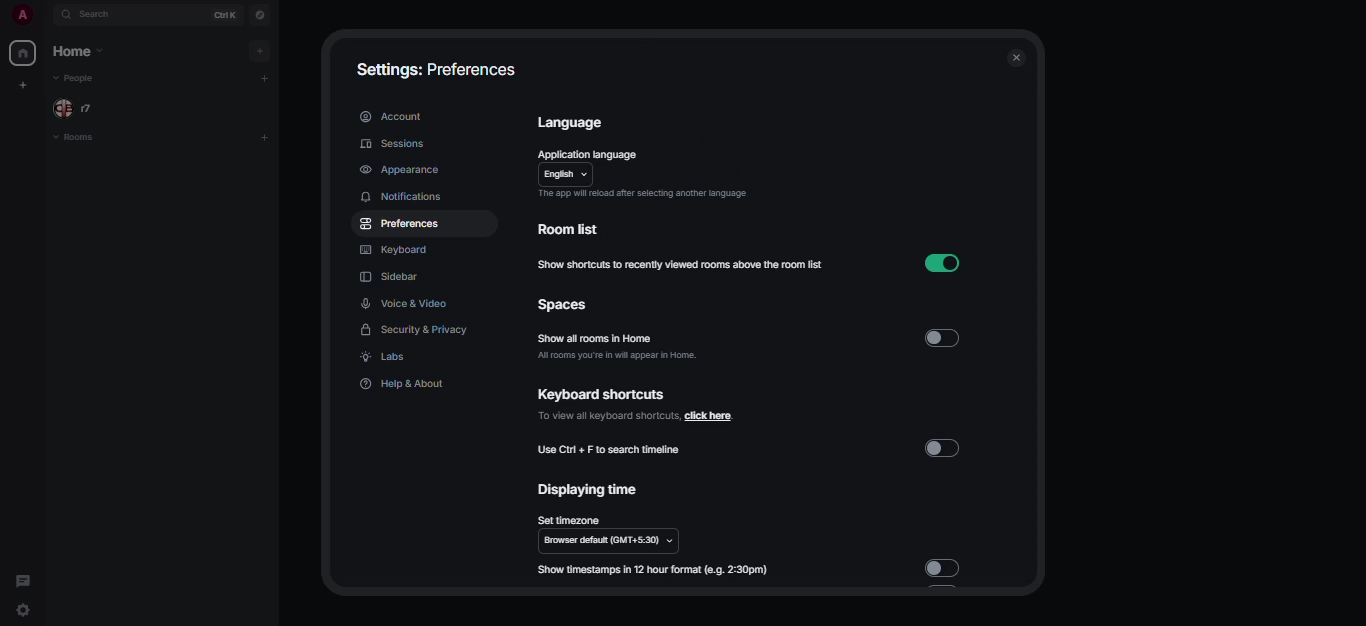 Image resolution: width=1366 pixels, height=626 pixels. I want to click on close, so click(1015, 56).